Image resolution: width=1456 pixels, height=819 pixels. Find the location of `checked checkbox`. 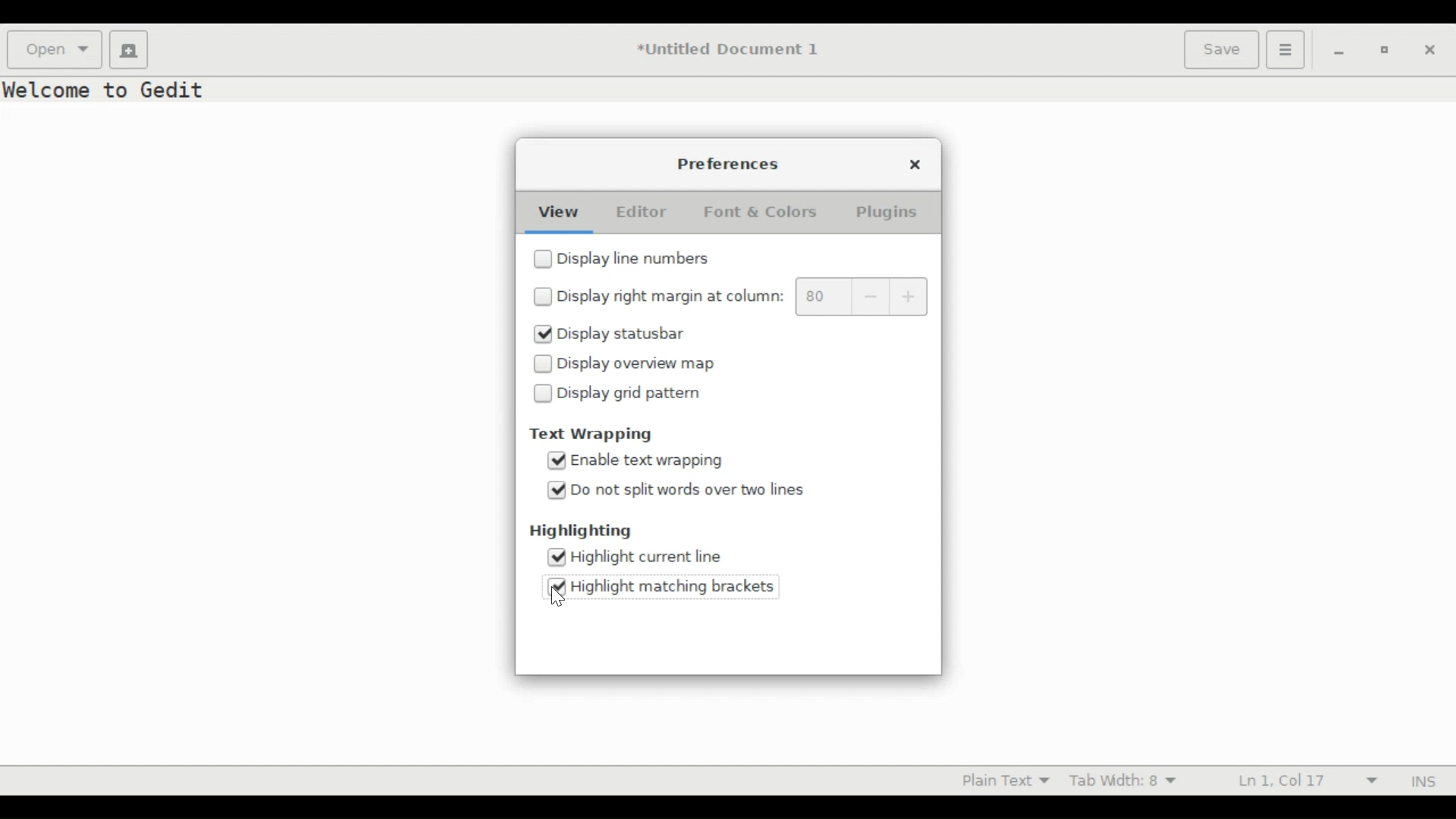

checked checkbox is located at coordinates (557, 557).